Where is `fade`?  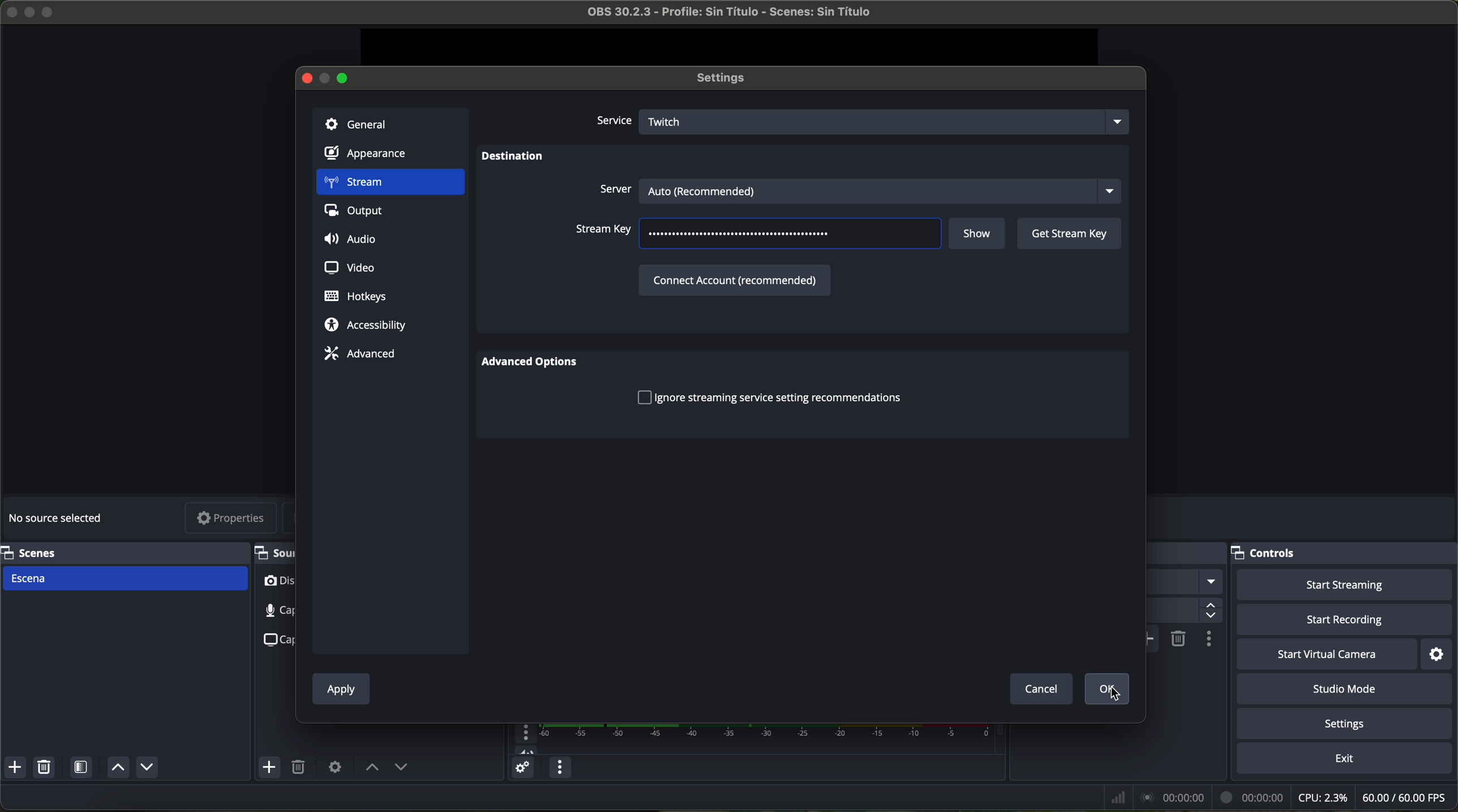
fade is located at coordinates (1185, 582).